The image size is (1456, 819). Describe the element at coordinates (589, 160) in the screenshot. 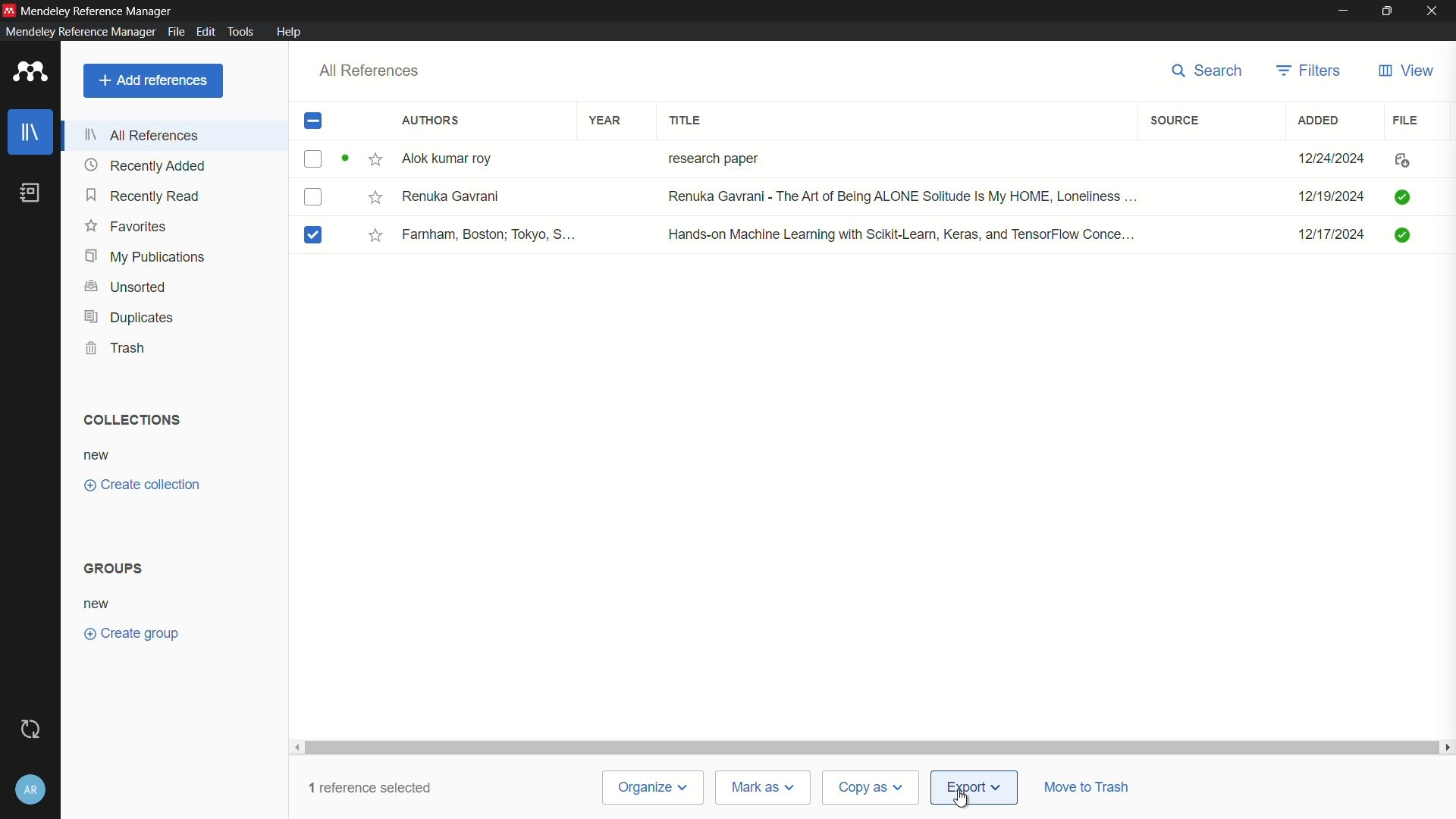

I see `Alok kumar roy research paper` at that location.